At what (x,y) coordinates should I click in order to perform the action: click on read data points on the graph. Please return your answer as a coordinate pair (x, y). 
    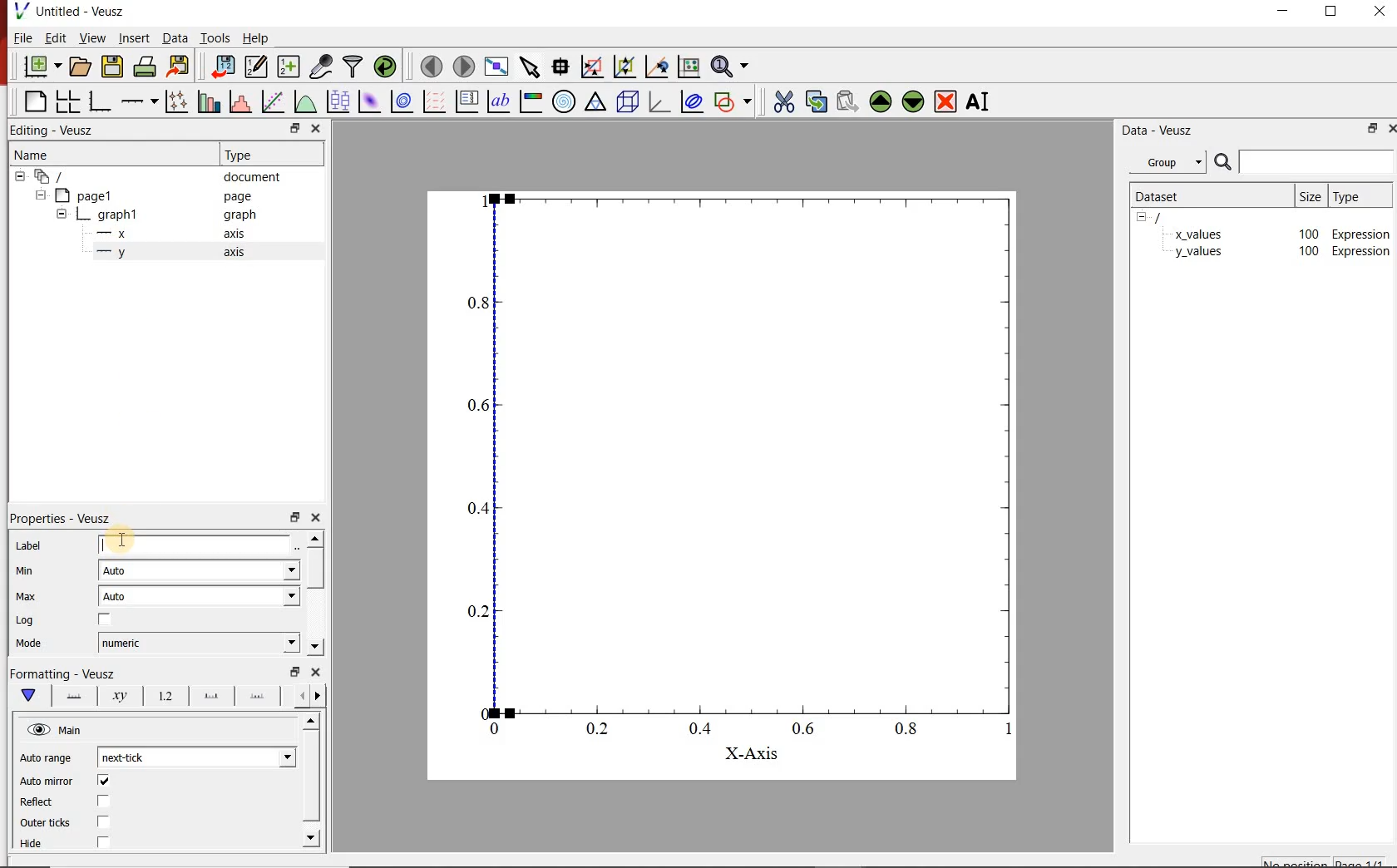
    Looking at the image, I should click on (561, 66).